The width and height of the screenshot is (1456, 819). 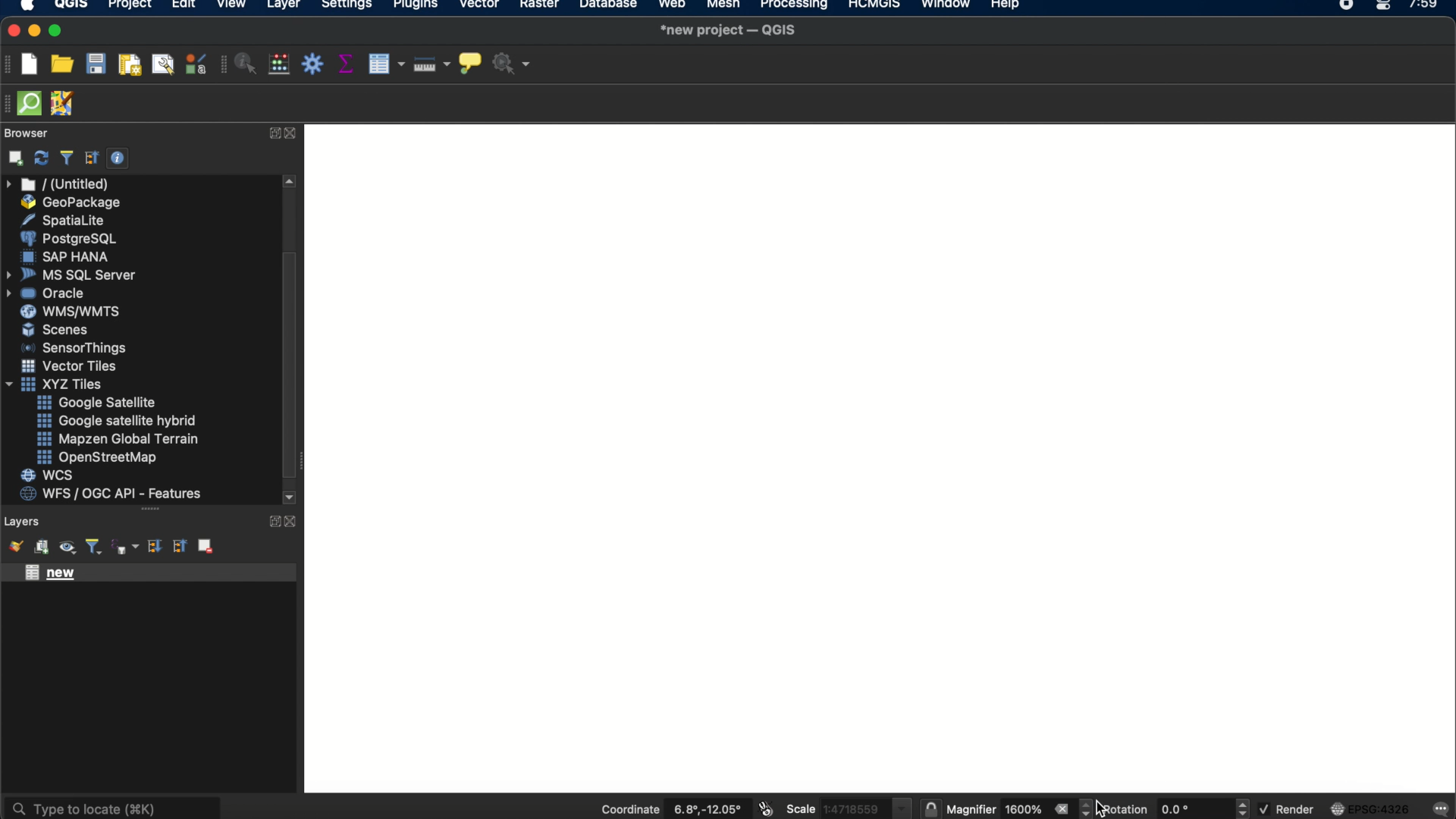 I want to click on raster, so click(x=538, y=6).